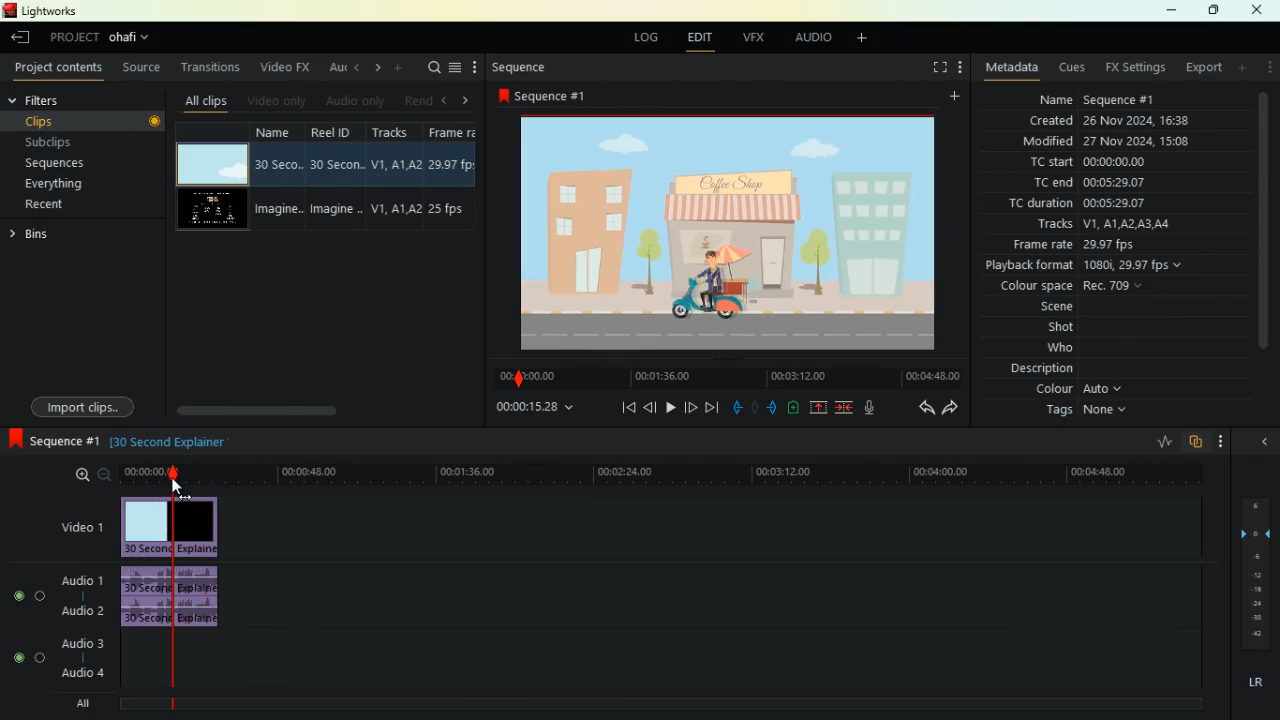 The image size is (1280, 720). I want to click on merge, so click(846, 408).